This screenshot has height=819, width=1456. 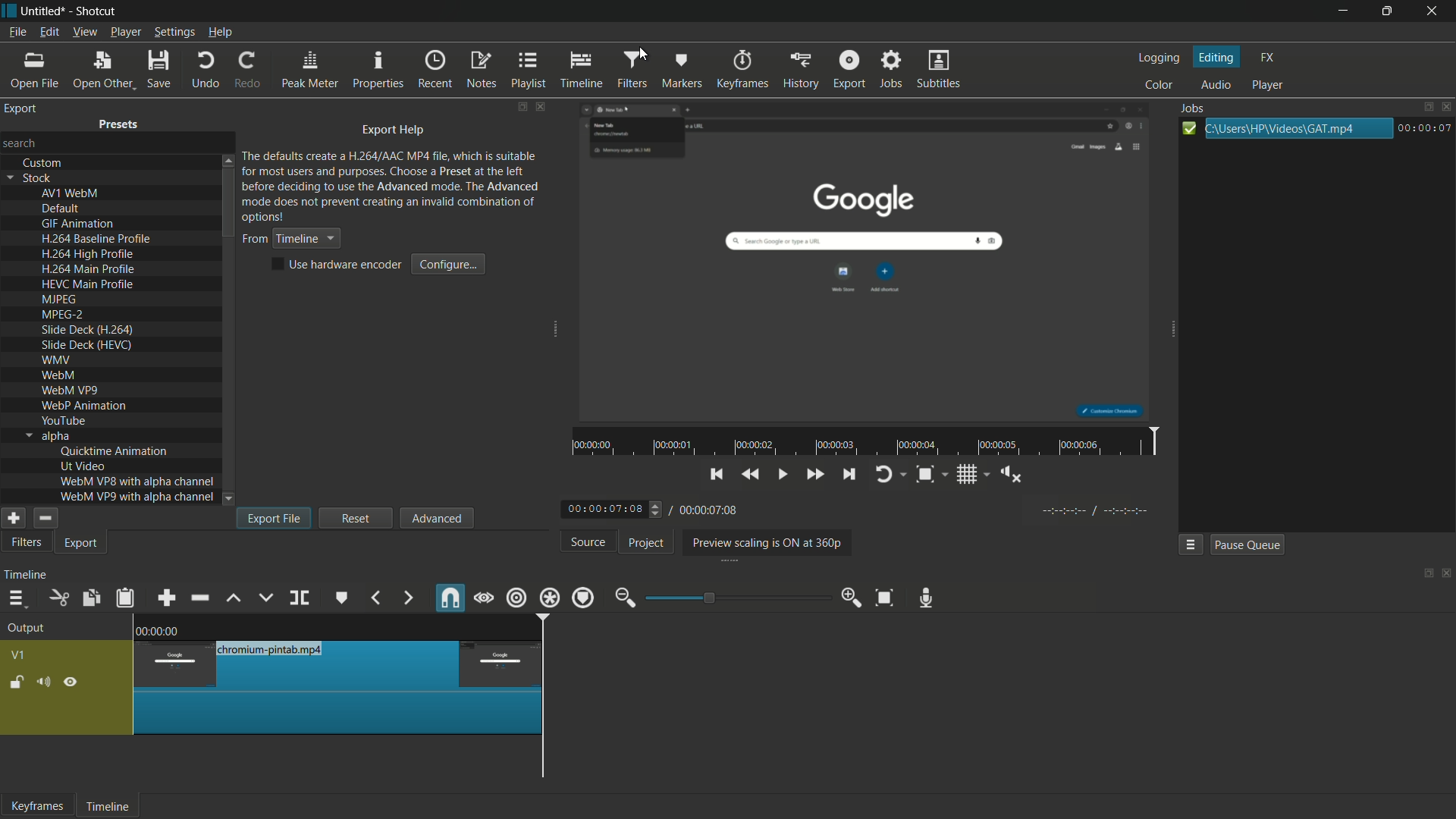 What do you see at coordinates (101, 70) in the screenshot?
I see `open other` at bounding box center [101, 70].